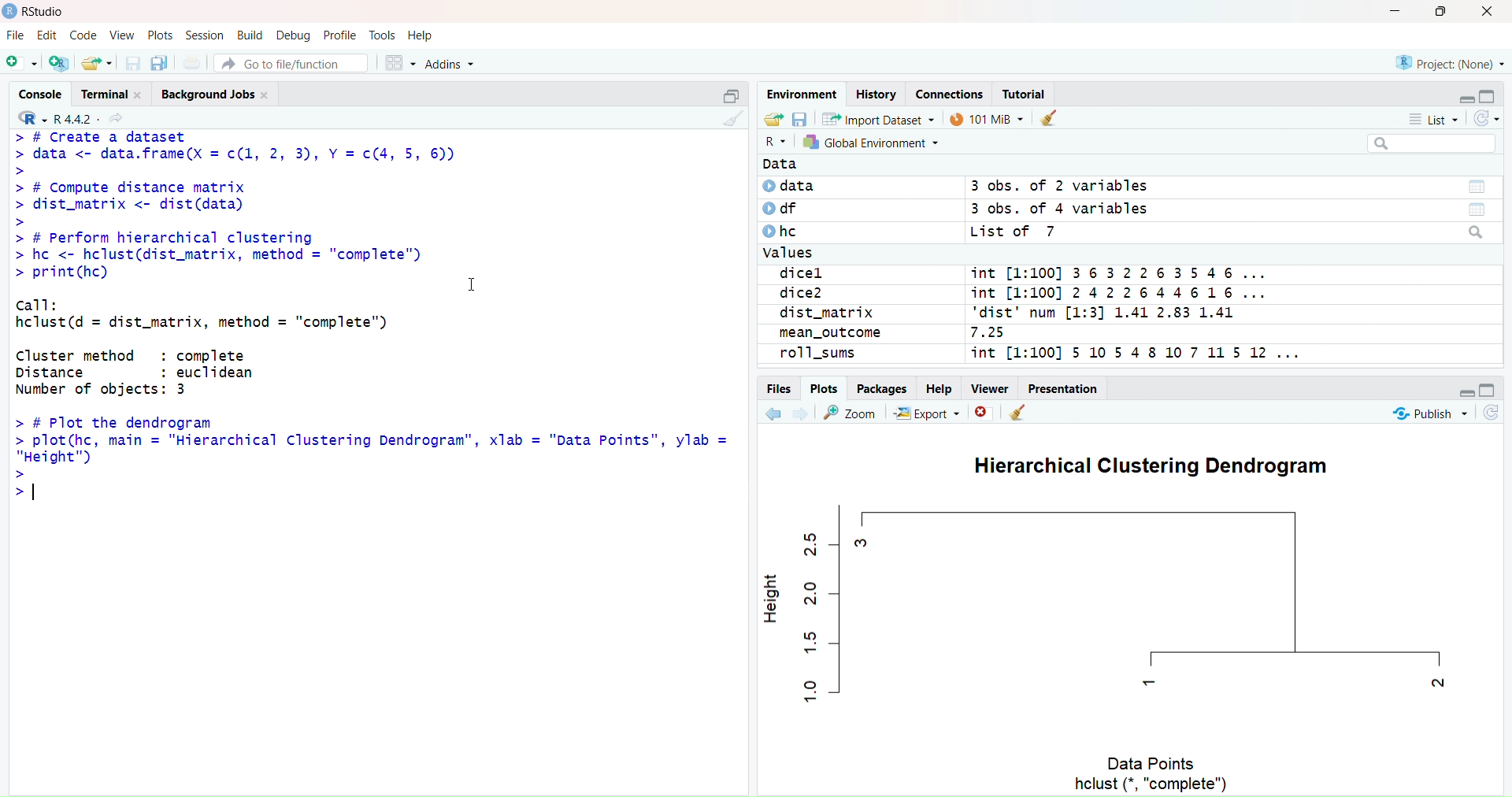  What do you see at coordinates (28, 119) in the screenshot?
I see `R` at bounding box center [28, 119].